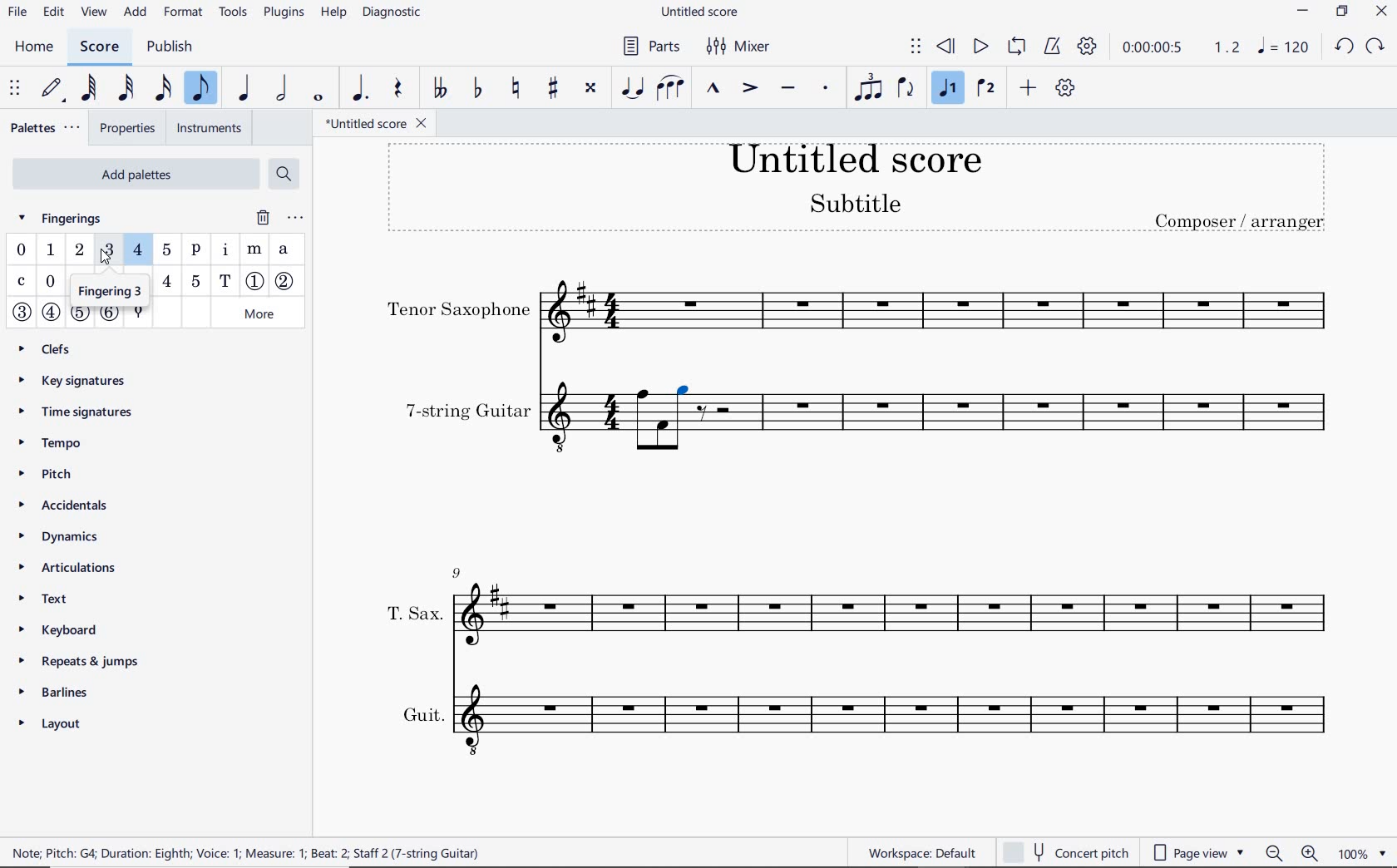  Describe the element at coordinates (135, 172) in the screenshot. I see `ADD PALETTES` at that location.